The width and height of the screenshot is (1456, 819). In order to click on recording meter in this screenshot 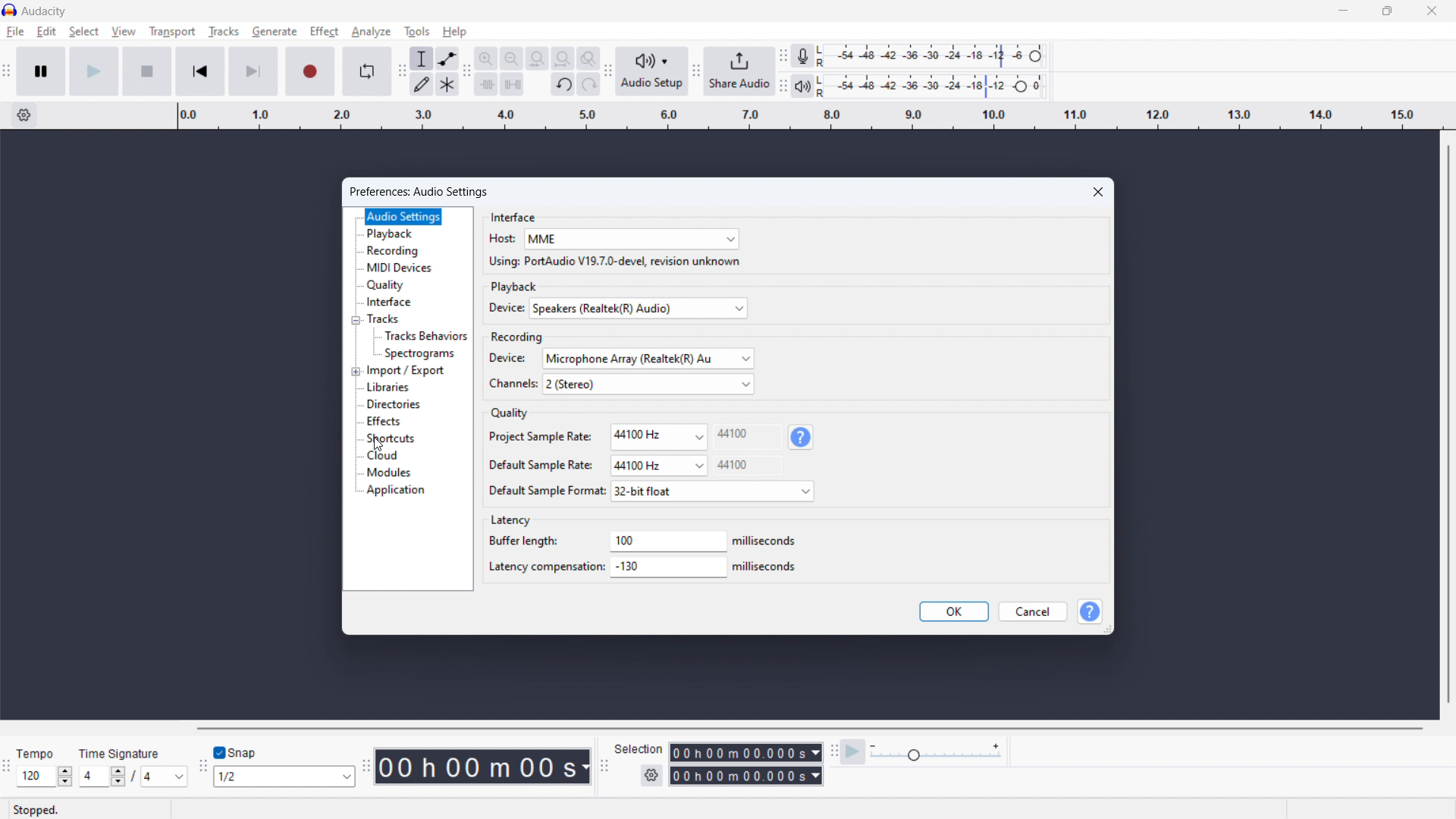, I will do `click(803, 55)`.